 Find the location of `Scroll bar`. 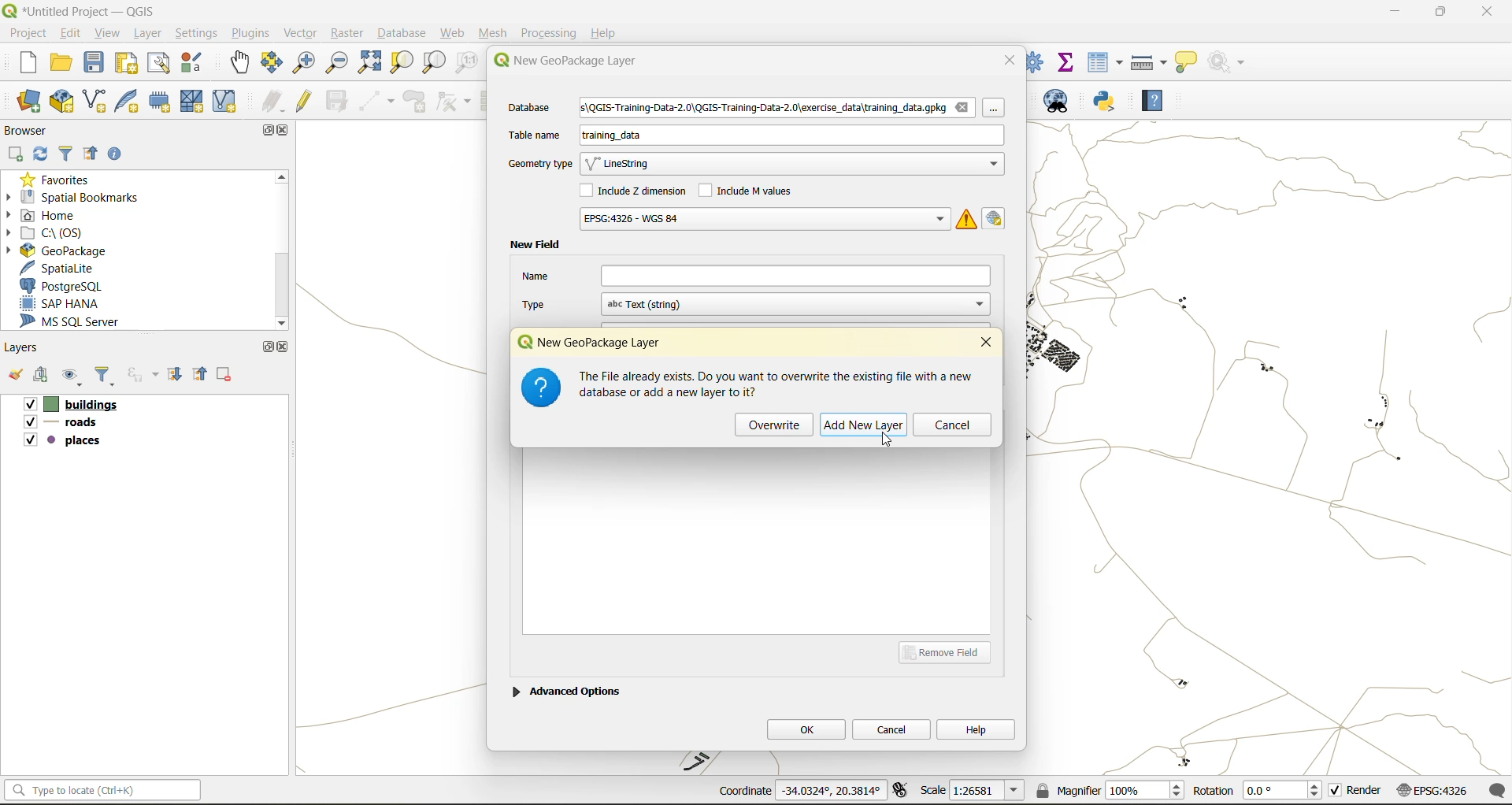

Scroll bar is located at coordinates (280, 250).